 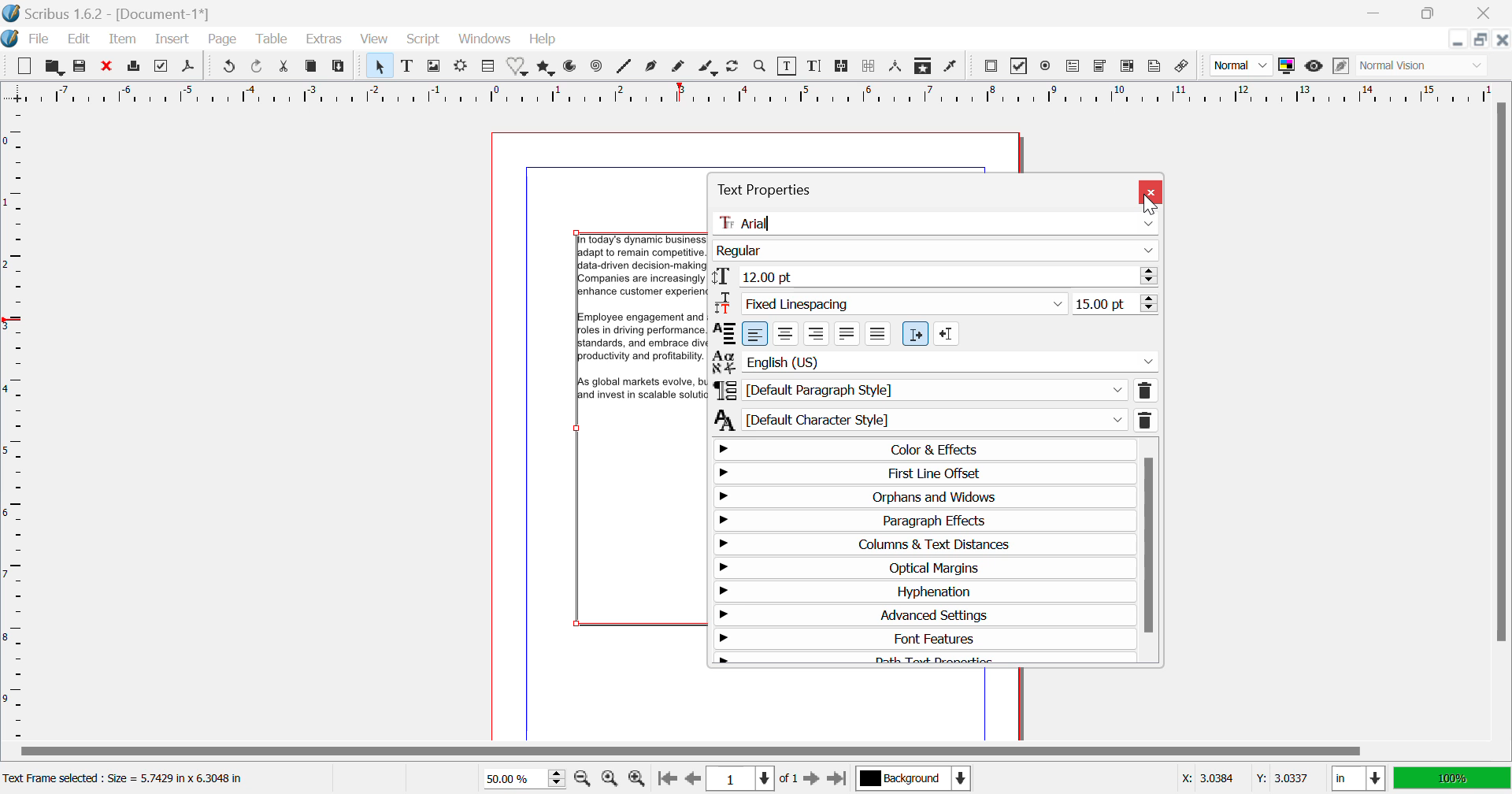 I want to click on Left to right paragraph, so click(x=913, y=332).